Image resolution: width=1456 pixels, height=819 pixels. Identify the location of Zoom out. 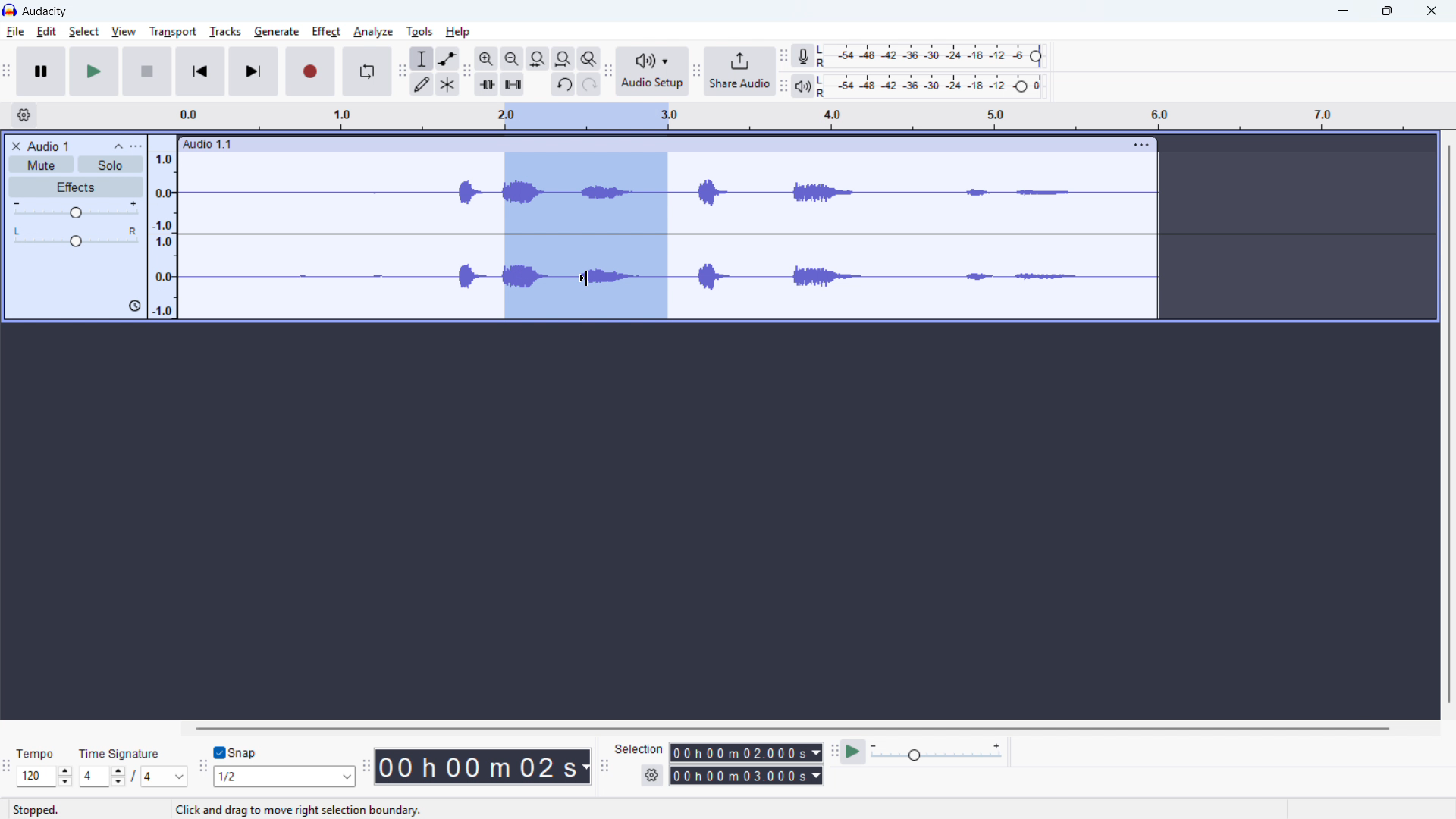
(511, 59).